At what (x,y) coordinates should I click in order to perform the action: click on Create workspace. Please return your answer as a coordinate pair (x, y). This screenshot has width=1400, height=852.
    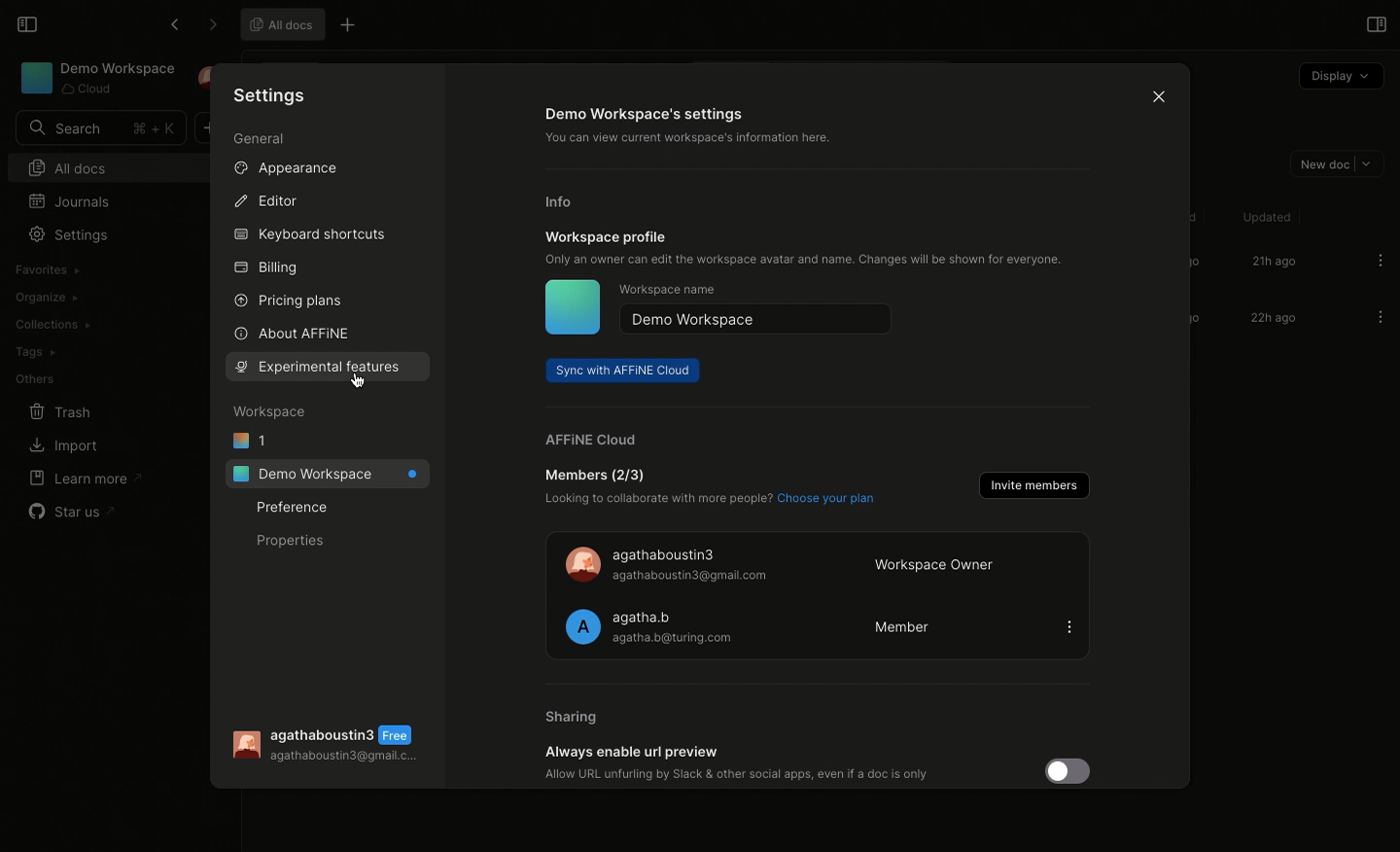
    Looking at the image, I should click on (95, 296).